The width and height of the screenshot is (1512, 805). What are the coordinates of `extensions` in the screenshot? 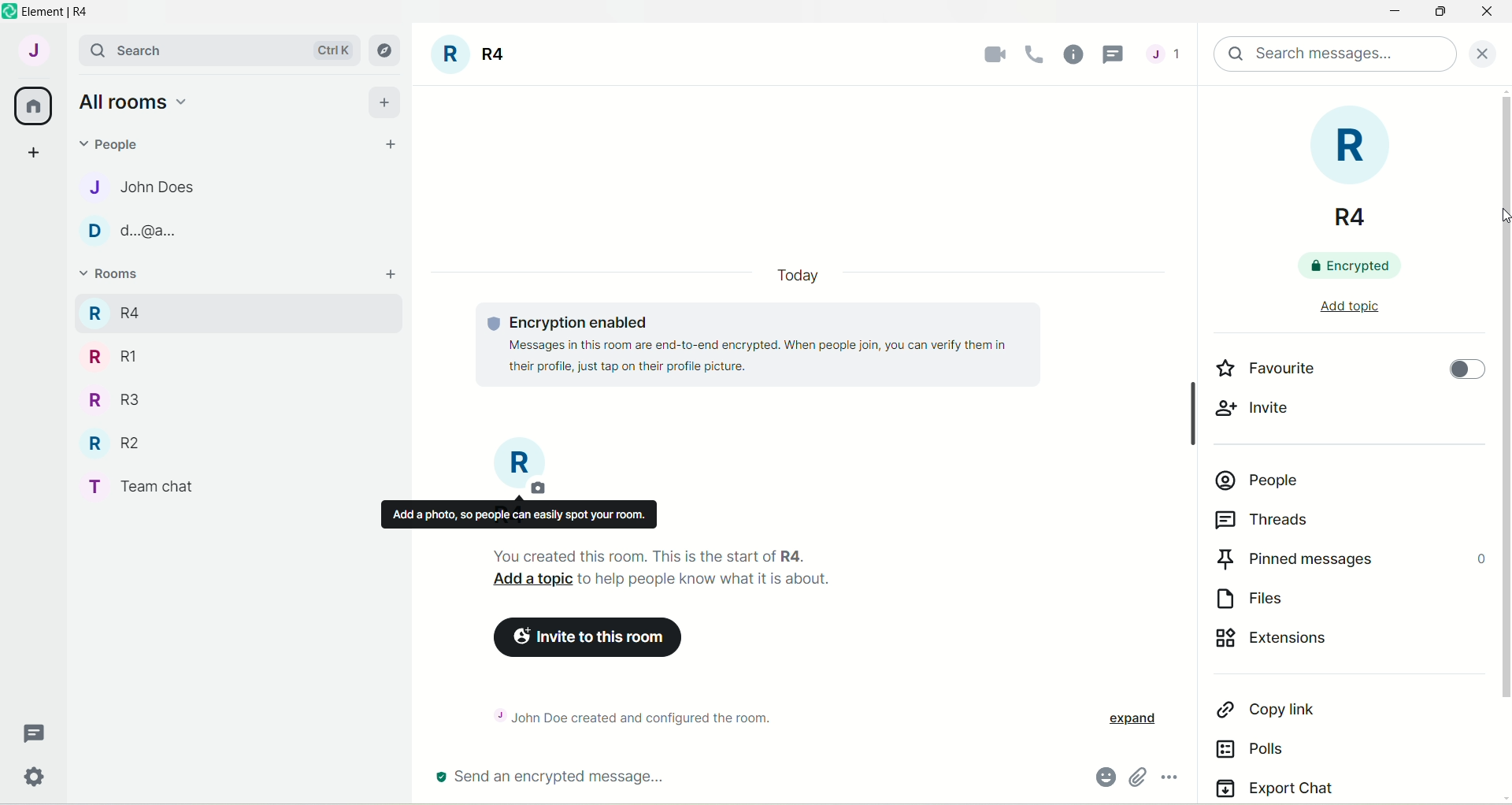 It's located at (1294, 642).